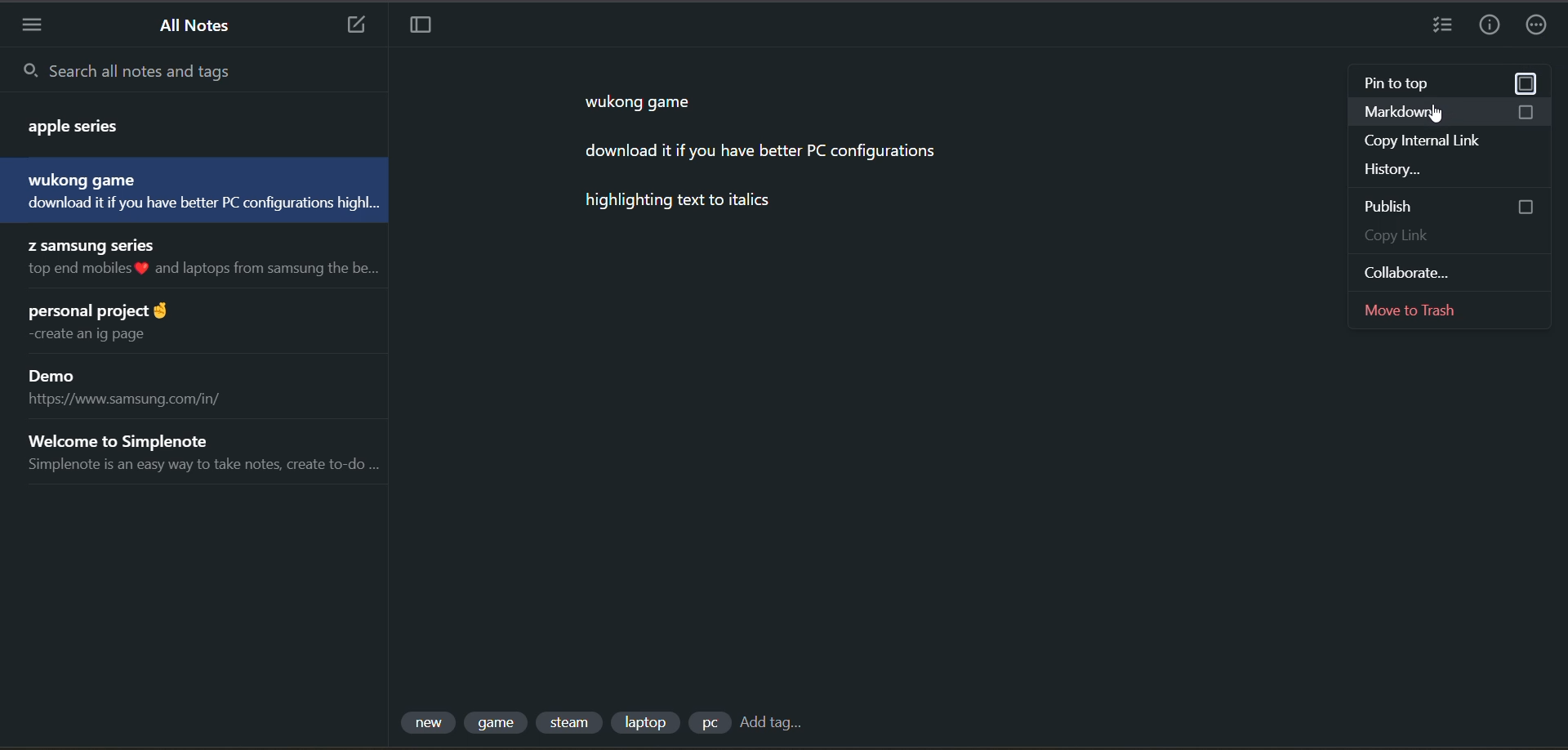  I want to click on note title and preview, so click(143, 389).